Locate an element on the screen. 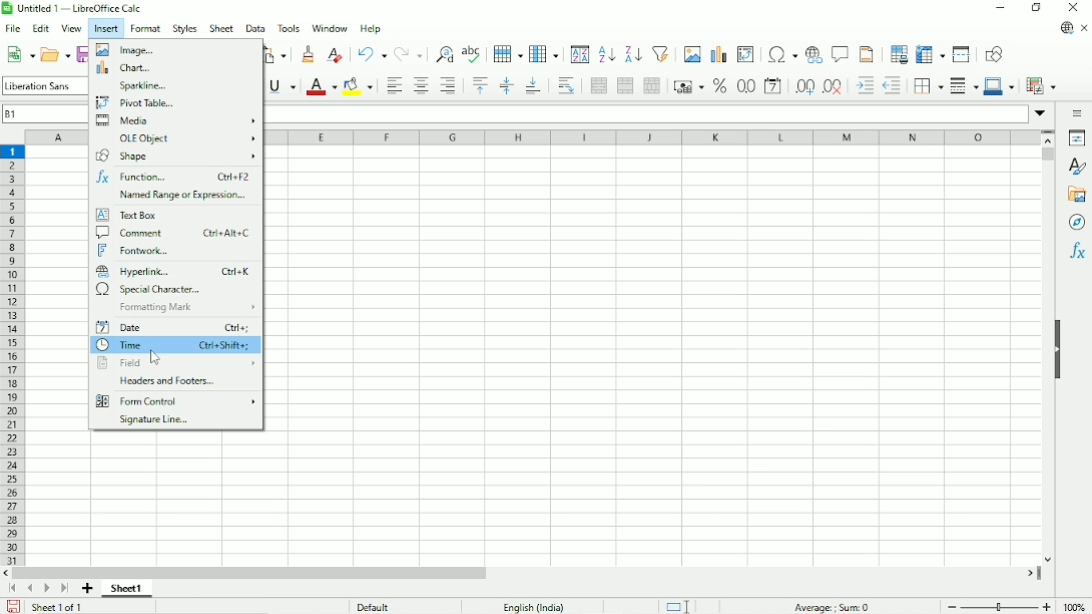 This screenshot has height=614, width=1092. Properties is located at coordinates (1076, 137).